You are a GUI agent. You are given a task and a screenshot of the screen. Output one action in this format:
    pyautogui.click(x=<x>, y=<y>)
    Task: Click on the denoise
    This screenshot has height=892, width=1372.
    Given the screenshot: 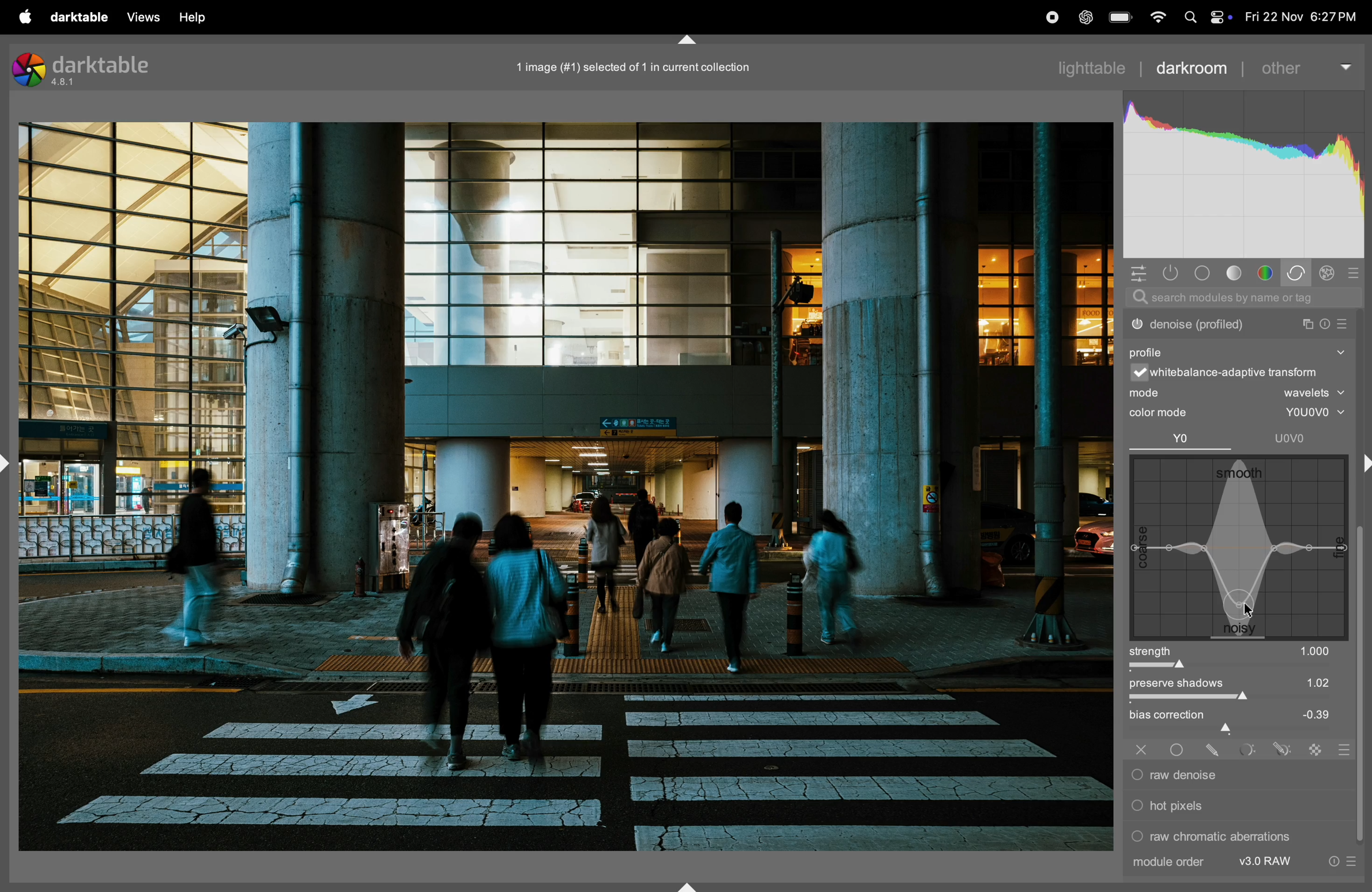 What is the action you would take?
    pyautogui.click(x=1220, y=324)
    